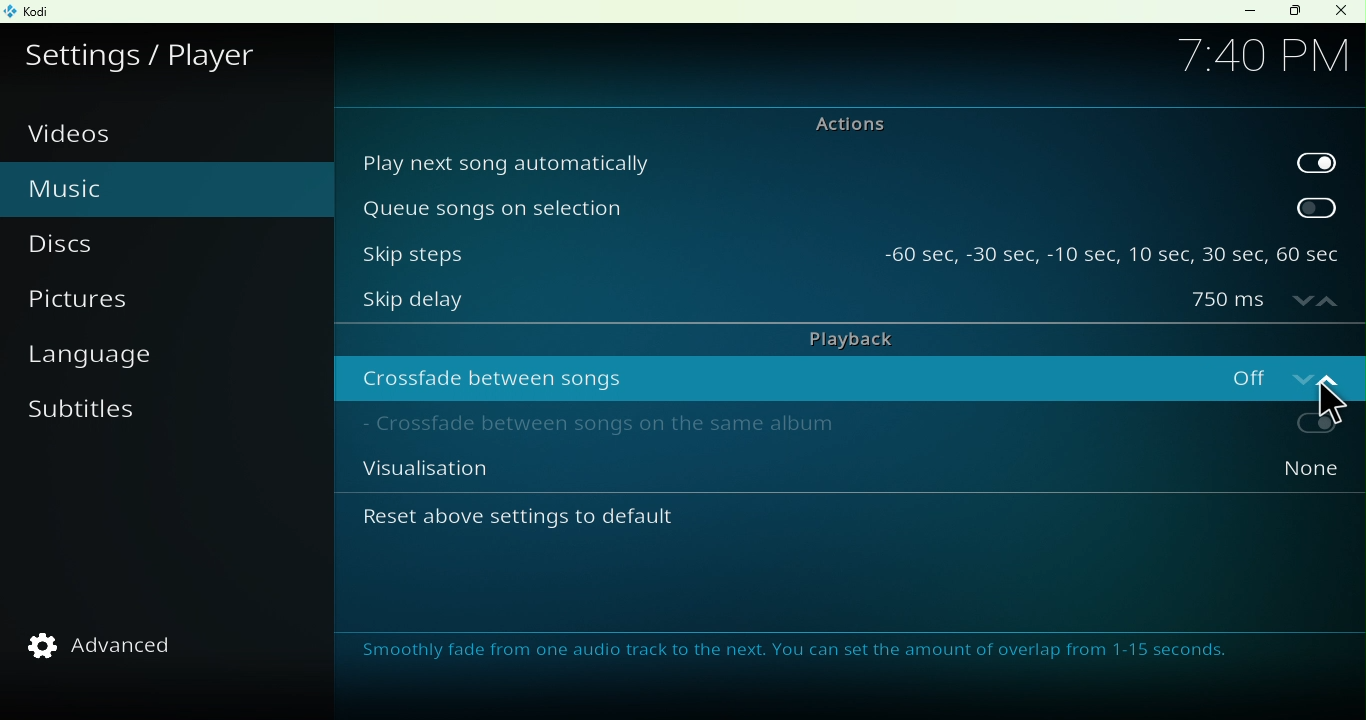 This screenshot has width=1366, height=720. I want to click on toggle, so click(1318, 207).